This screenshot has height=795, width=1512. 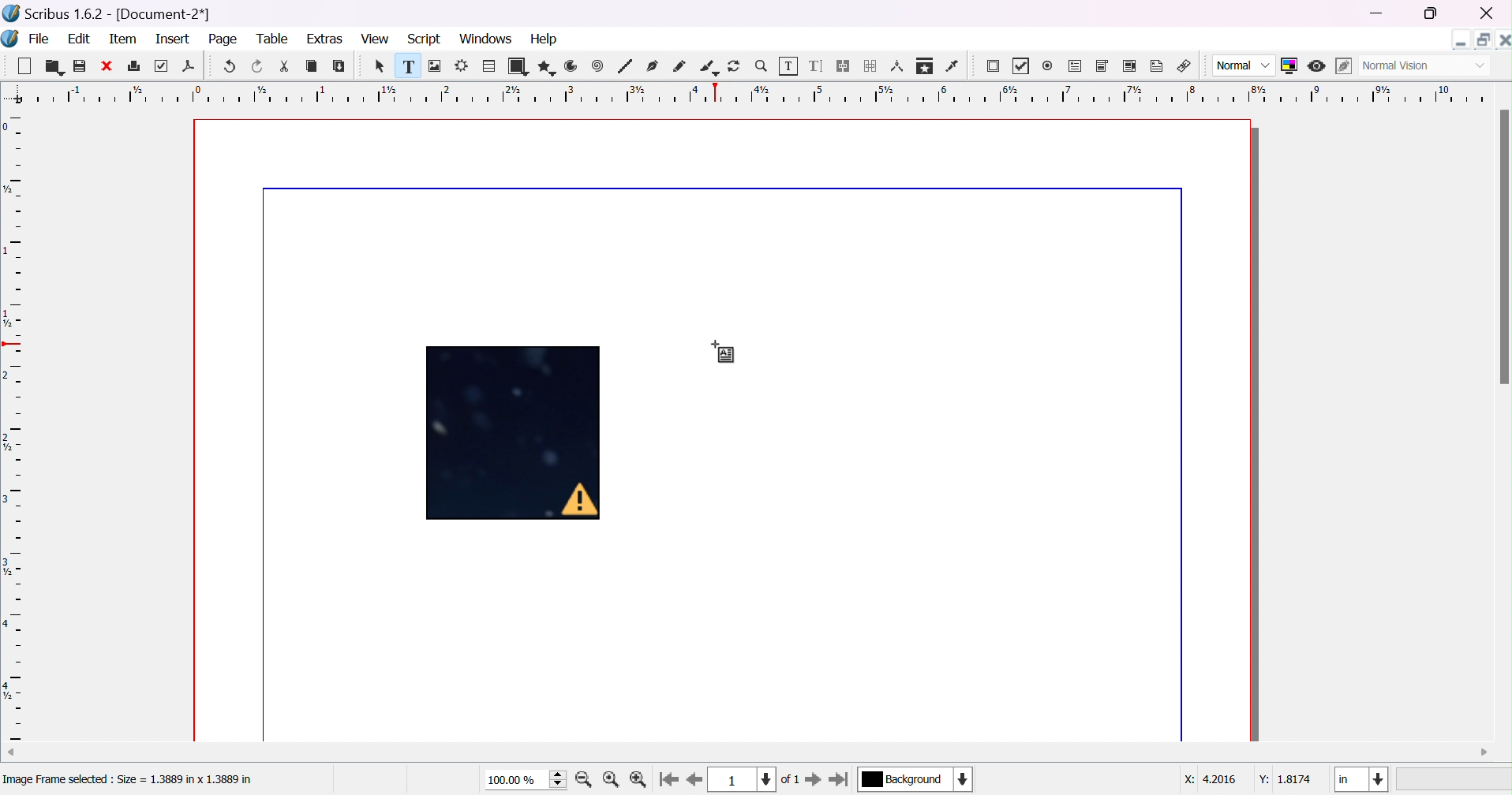 What do you see at coordinates (757, 779) in the screenshot?
I see `current page` at bounding box center [757, 779].